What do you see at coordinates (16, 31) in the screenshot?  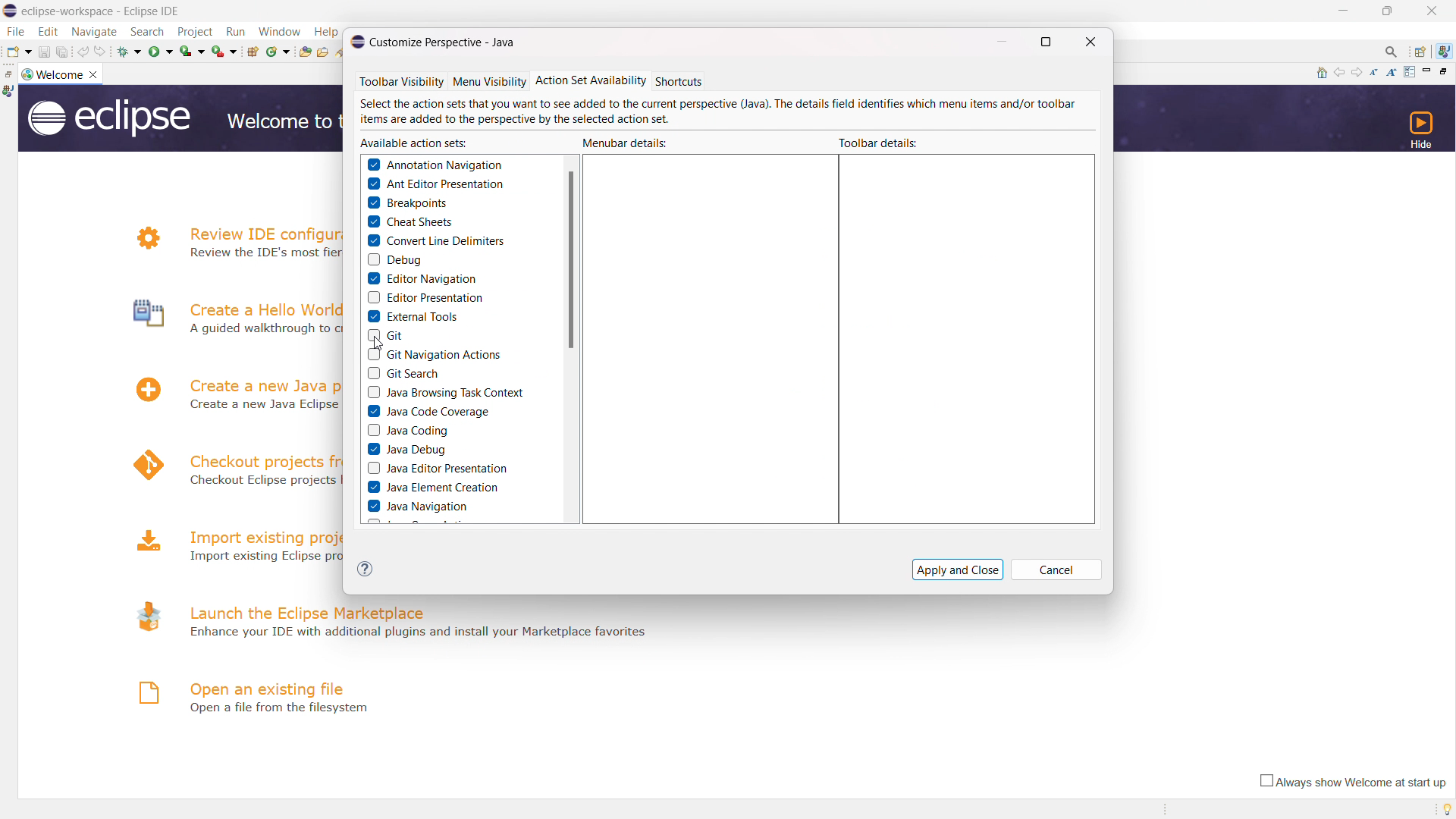 I see `file` at bounding box center [16, 31].